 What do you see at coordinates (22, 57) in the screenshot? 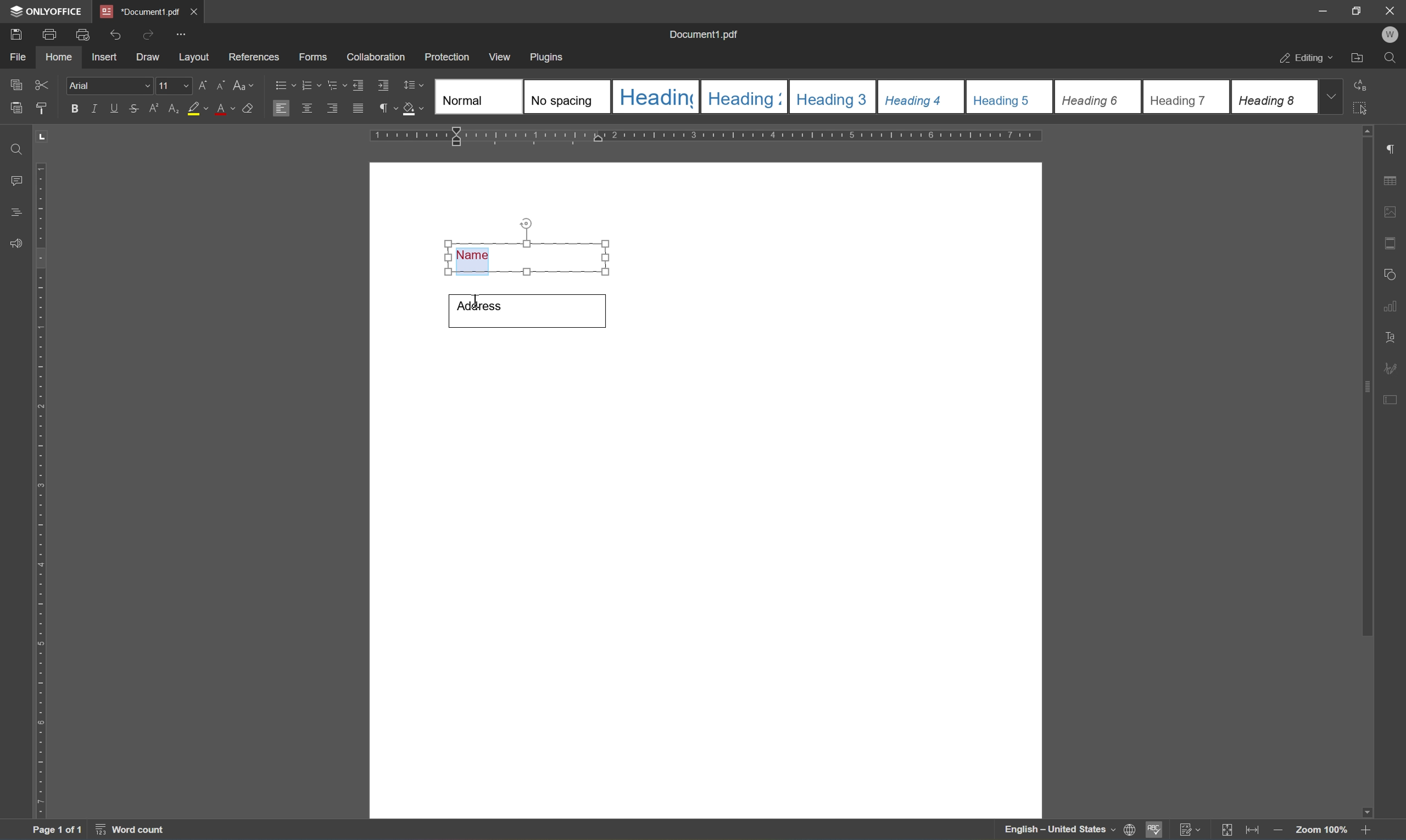
I see `file` at bounding box center [22, 57].